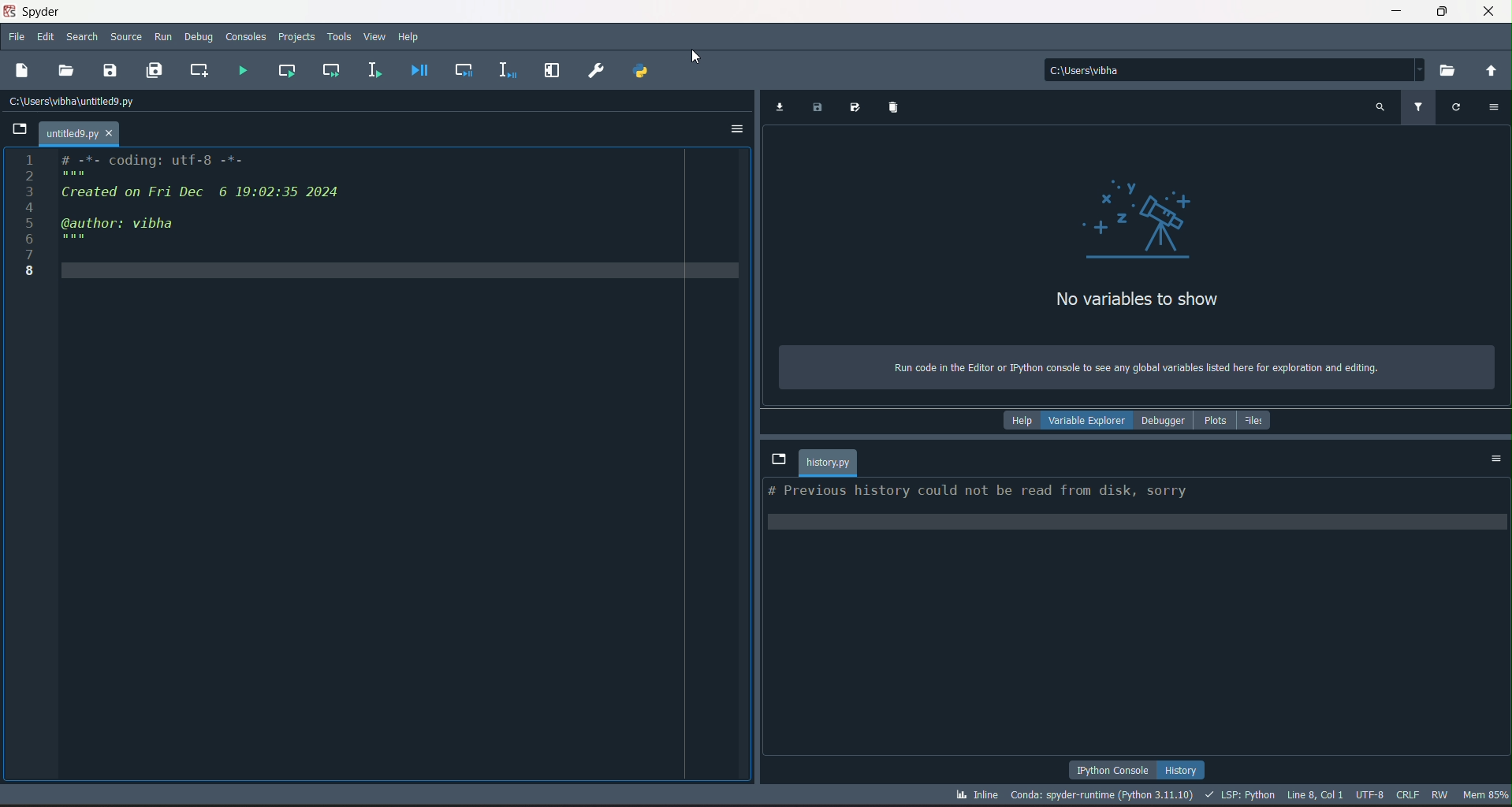 Image resolution: width=1512 pixels, height=807 pixels. What do you see at coordinates (697, 58) in the screenshot?
I see `cursor` at bounding box center [697, 58].